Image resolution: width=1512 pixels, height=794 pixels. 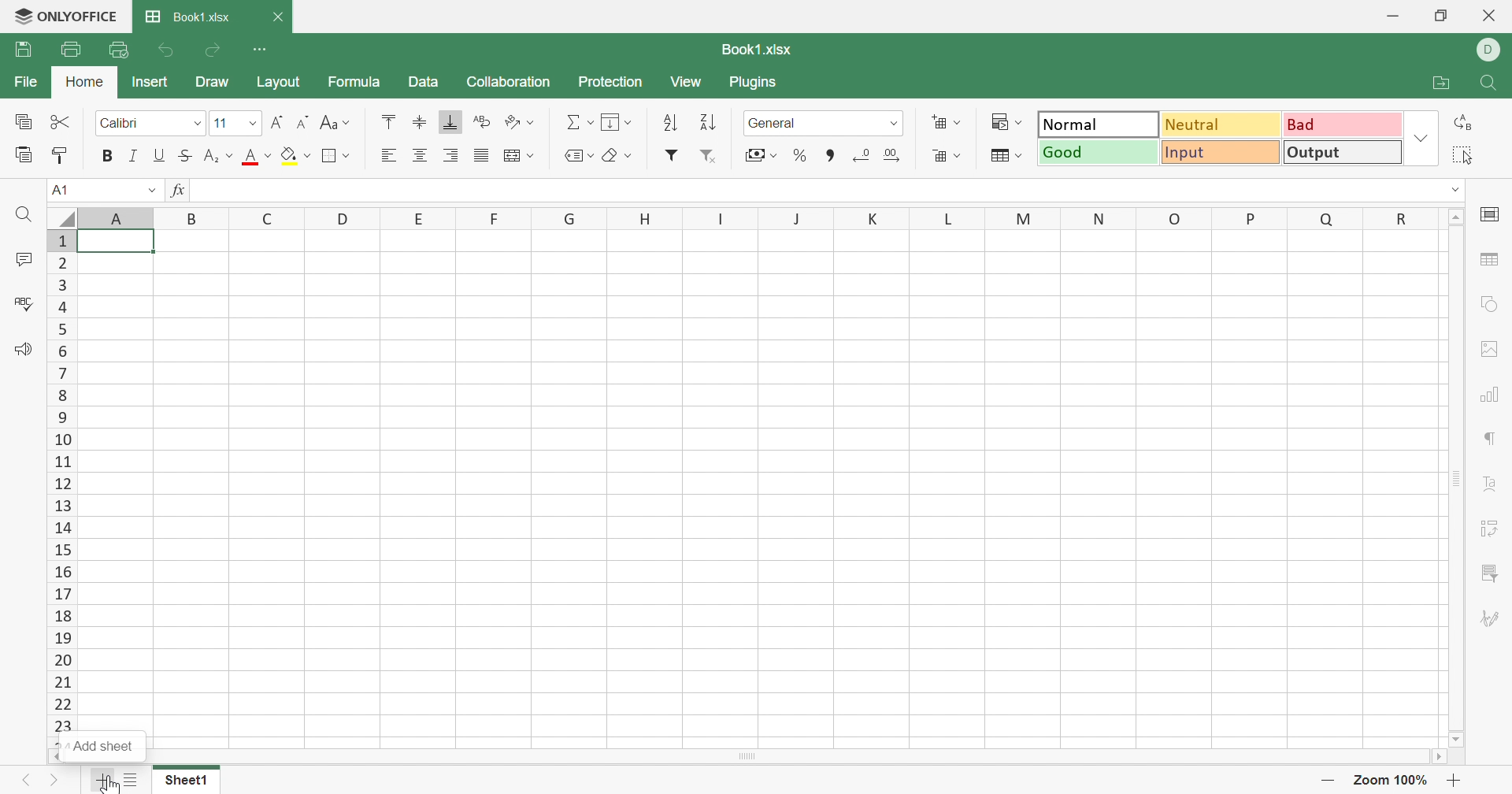 What do you see at coordinates (1221, 124) in the screenshot?
I see `Neutral` at bounding box center [1221, 124].